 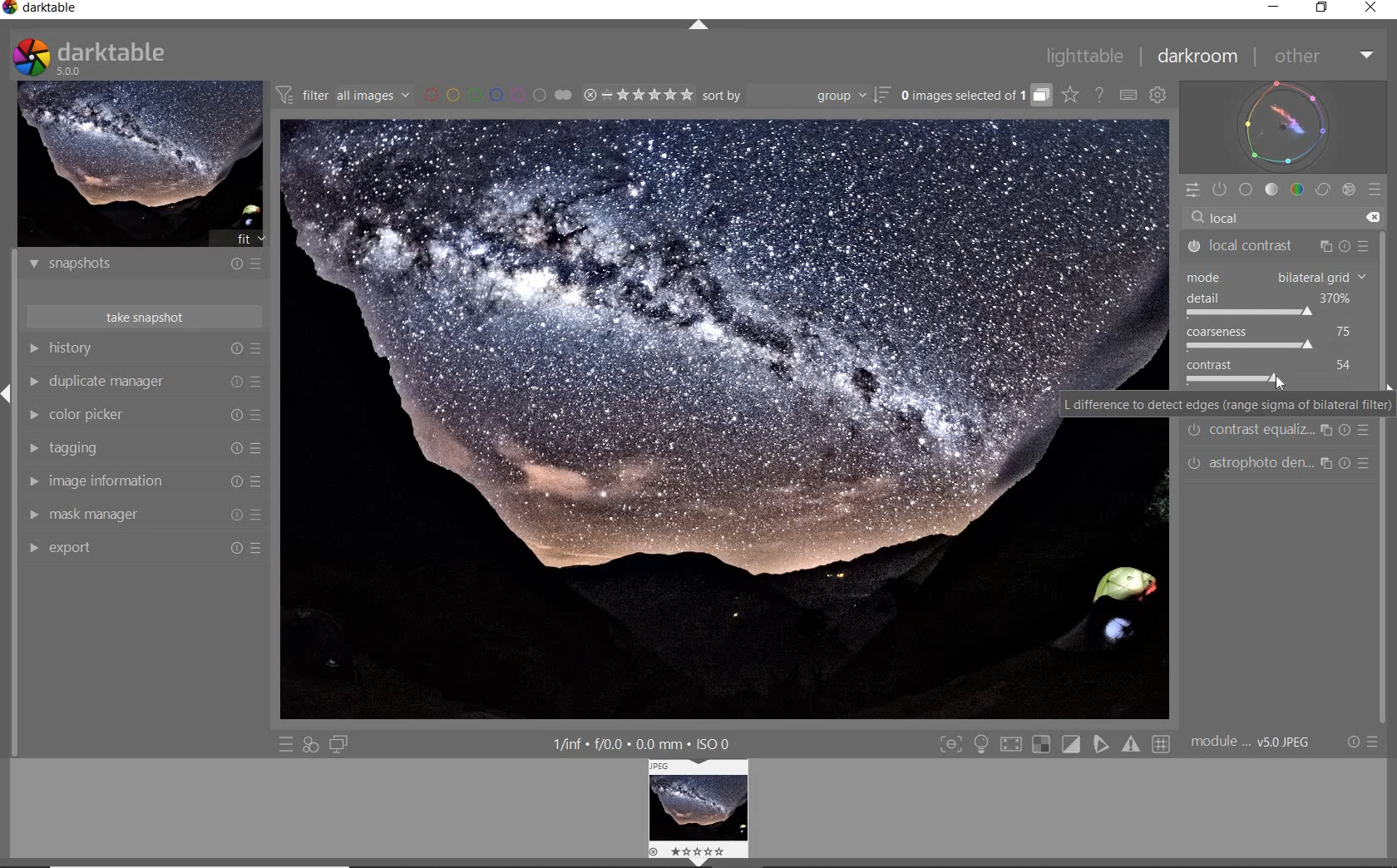 What do you see at coordinates (1261, 433) in the screenshot?
I see `contrast equalizer` at bounding box center [1261, 433].